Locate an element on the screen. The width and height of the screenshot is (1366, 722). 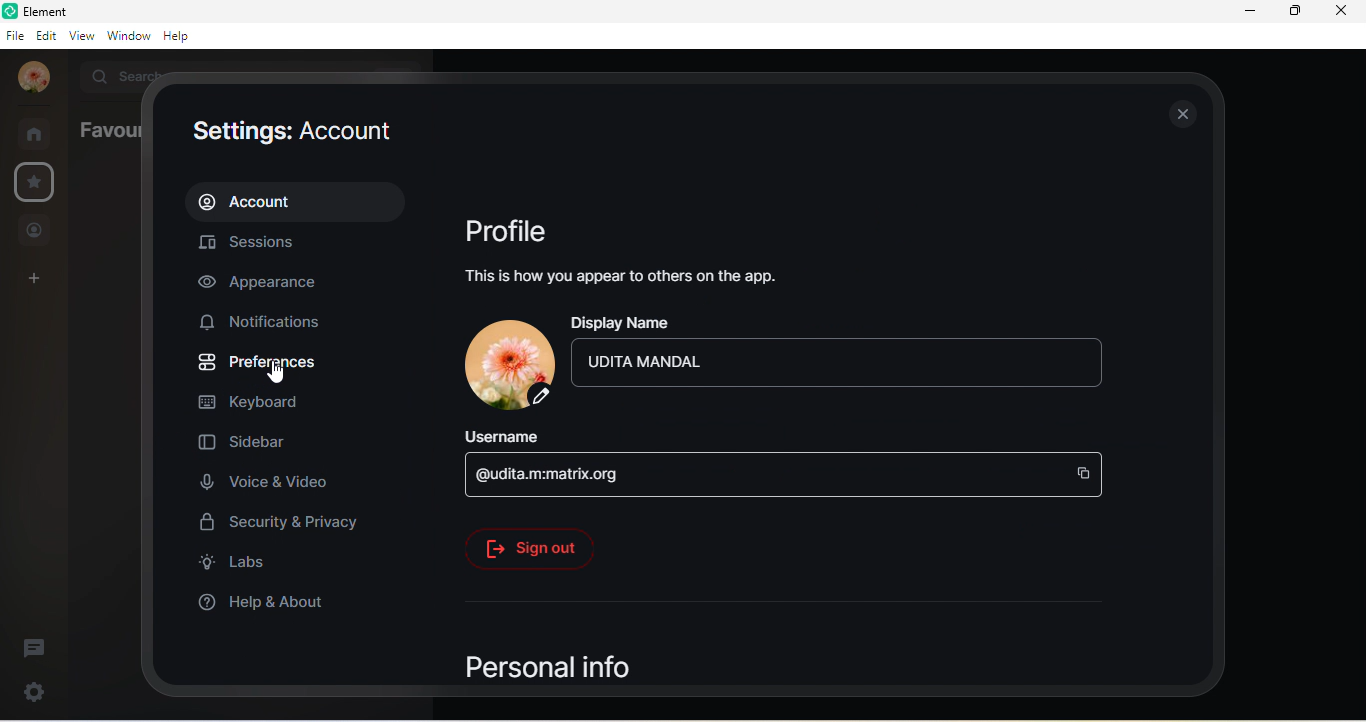
sessions is located at coordinates (271, 241).